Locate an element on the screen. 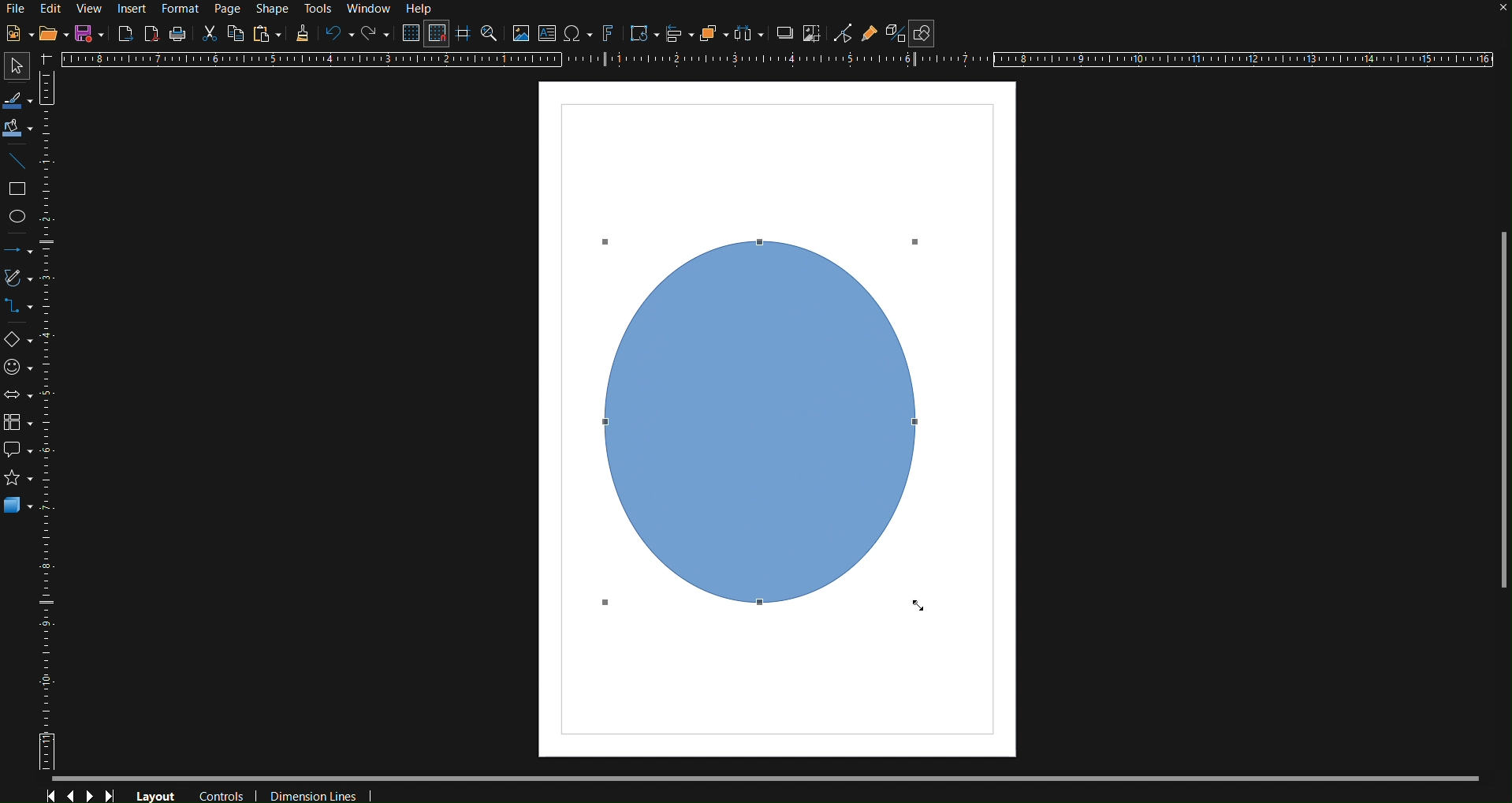 The height and width of the screenshot is (803, 1512). Insert Image is located at coordinates (520, 35).